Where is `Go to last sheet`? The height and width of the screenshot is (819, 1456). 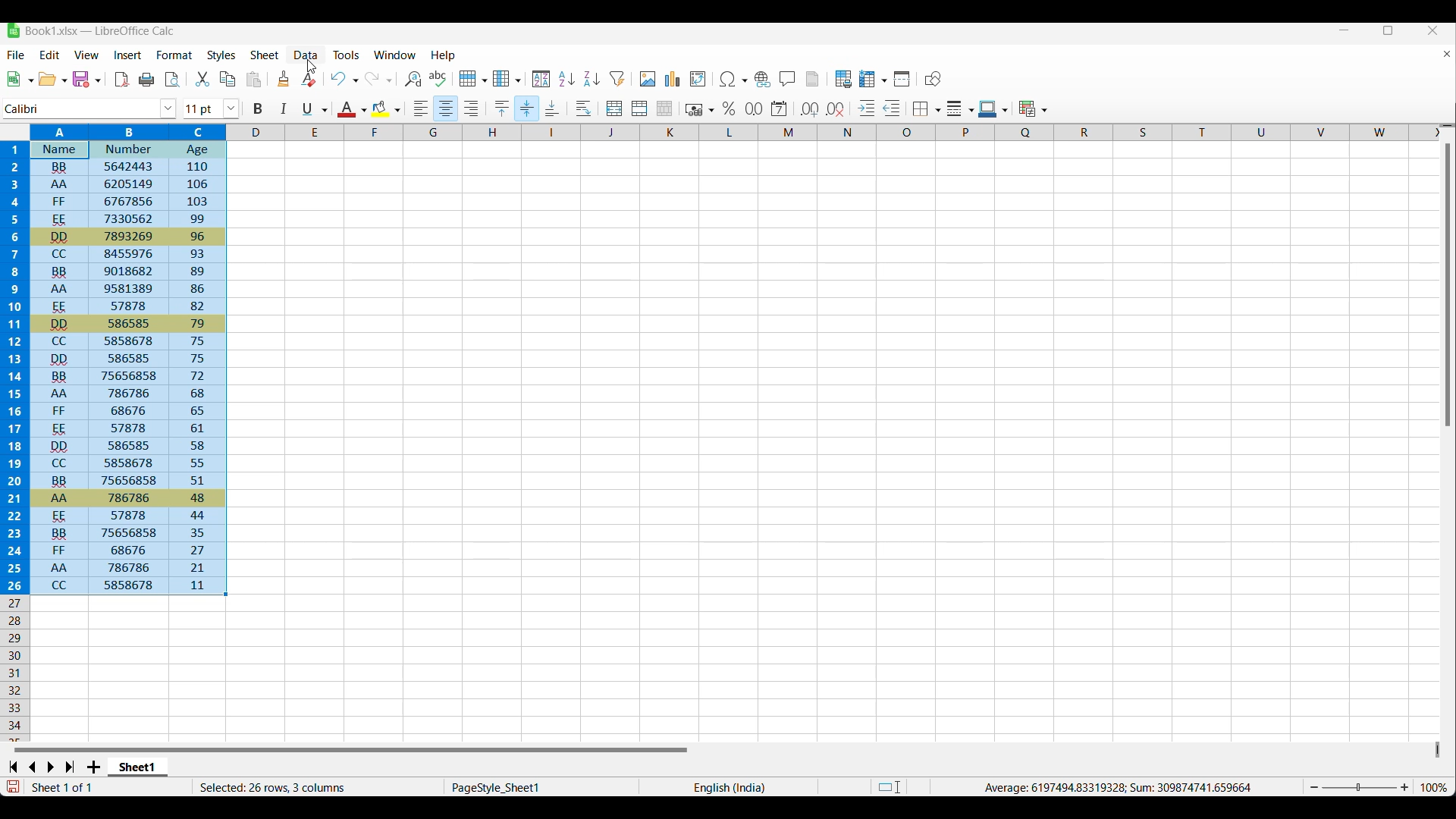 Go to last sheet is located at coordinates (70, 767).